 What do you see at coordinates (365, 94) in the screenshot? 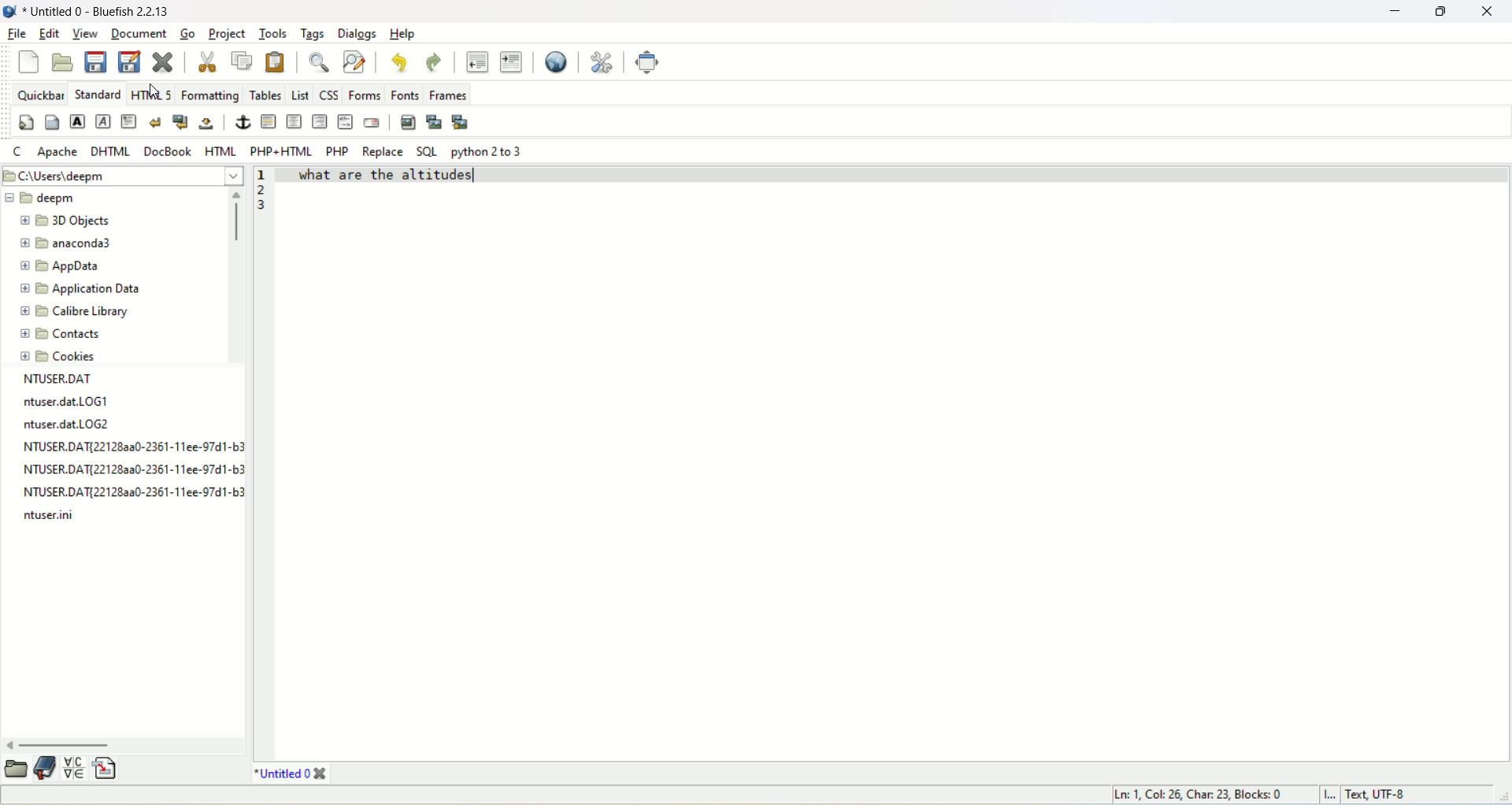
I see `forms` at bounding box center [365, 94].